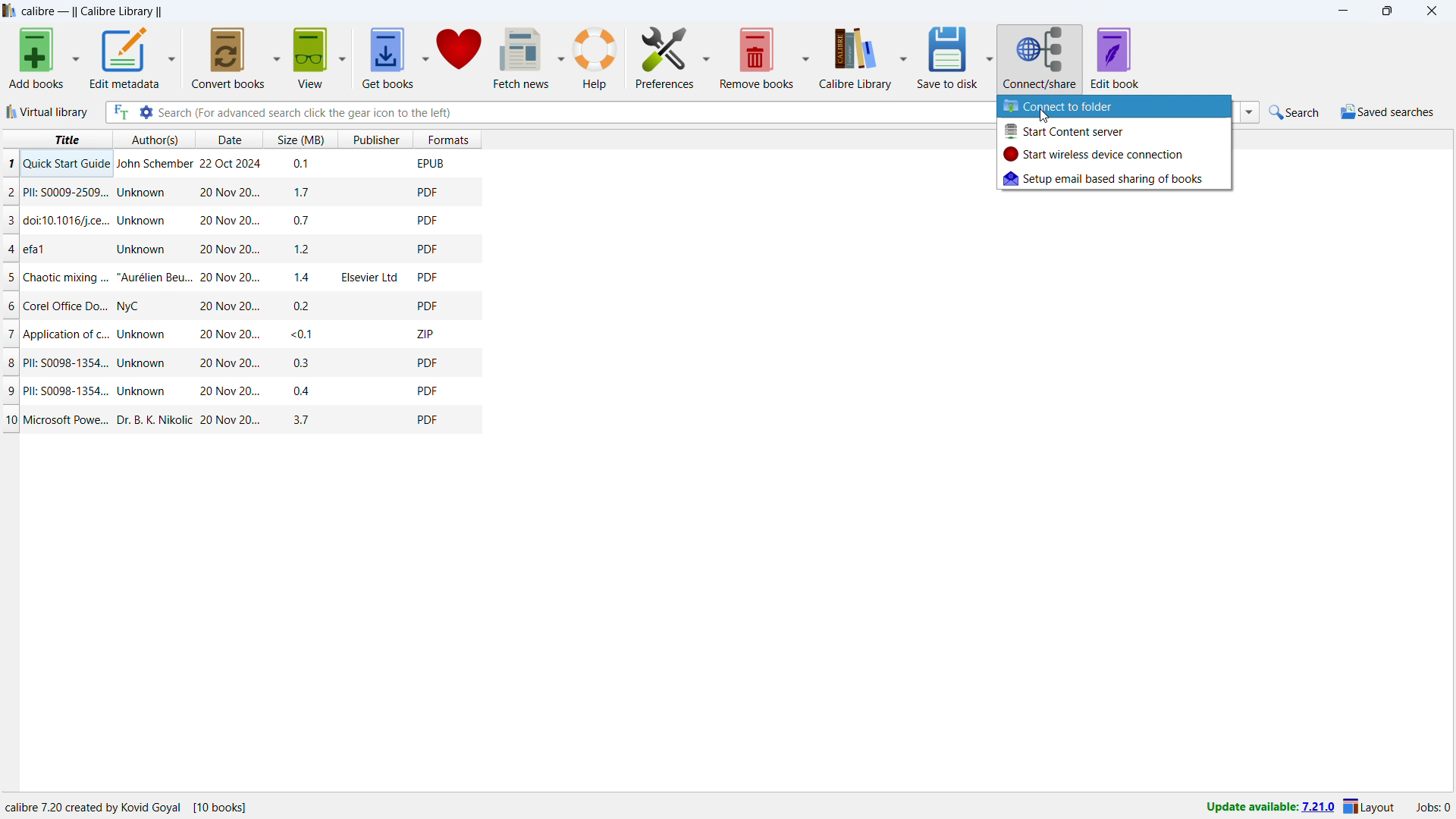 This screenshot has height=819, width=1456. What do you see at coordinates (904, 58) in the screenshot?
I see `calibre library options` at bounding box center [904, 58].